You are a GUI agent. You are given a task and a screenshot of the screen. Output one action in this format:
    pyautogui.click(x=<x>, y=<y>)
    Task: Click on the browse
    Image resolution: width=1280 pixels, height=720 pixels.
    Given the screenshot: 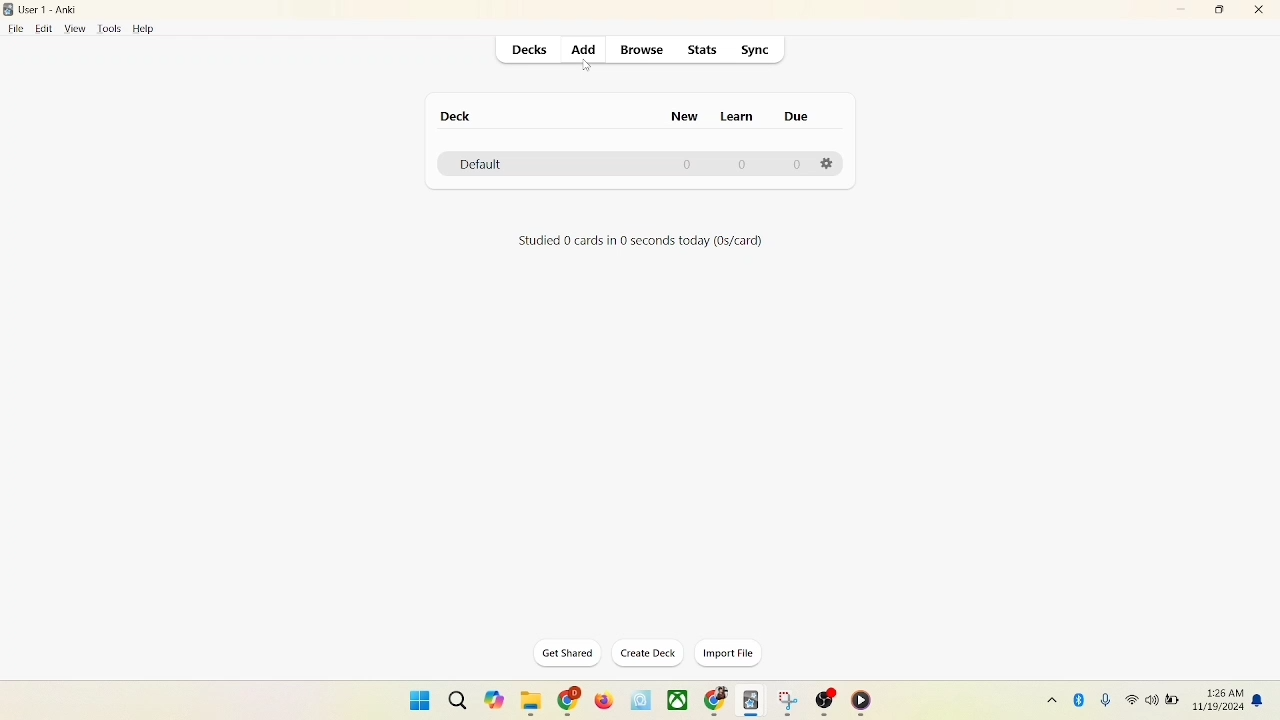 What is the action you would take?
    pyautogui.click(x=644, y=51)
    